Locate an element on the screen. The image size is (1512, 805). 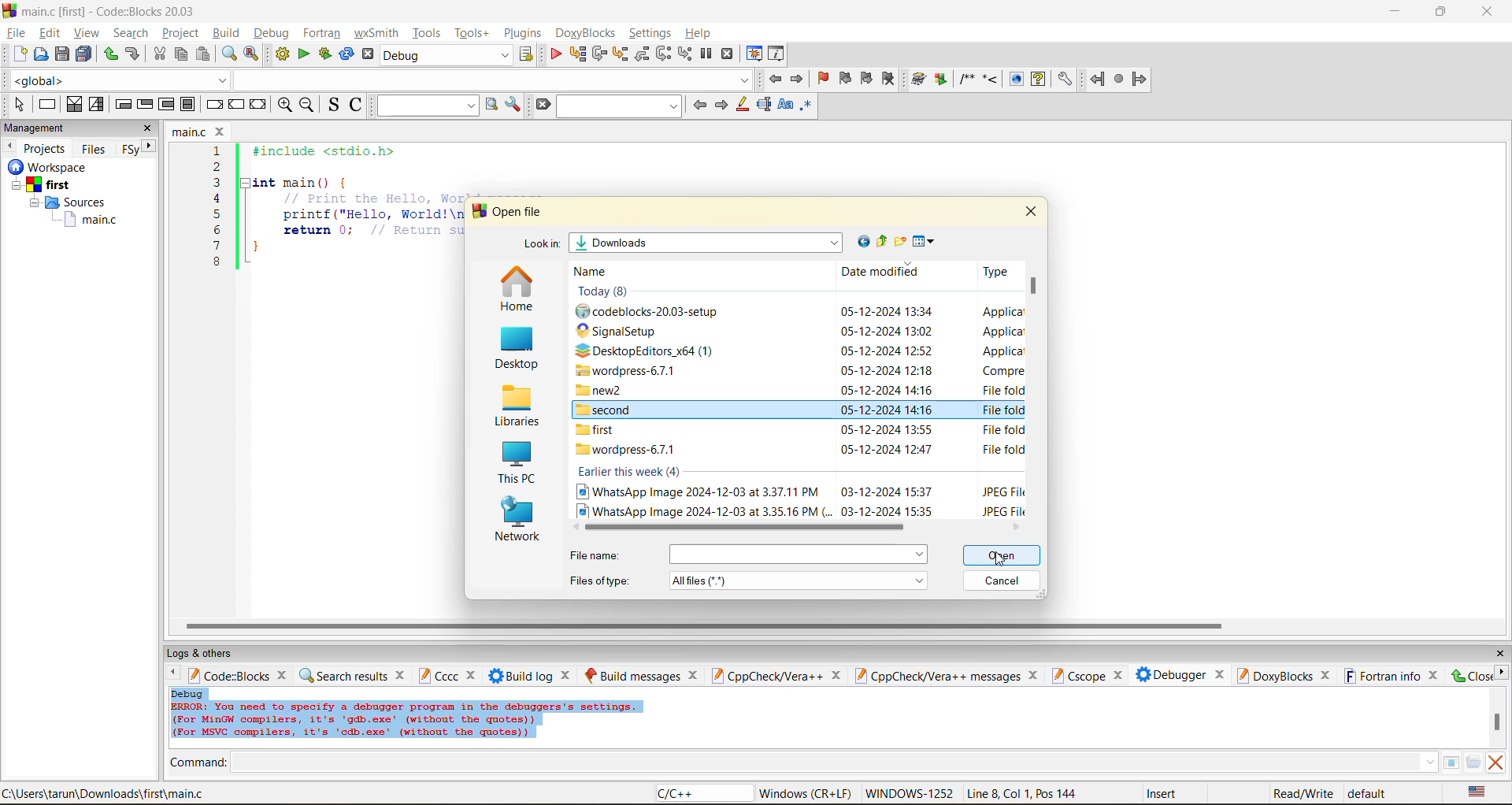
cancel is located at coordinates (1002, 582).